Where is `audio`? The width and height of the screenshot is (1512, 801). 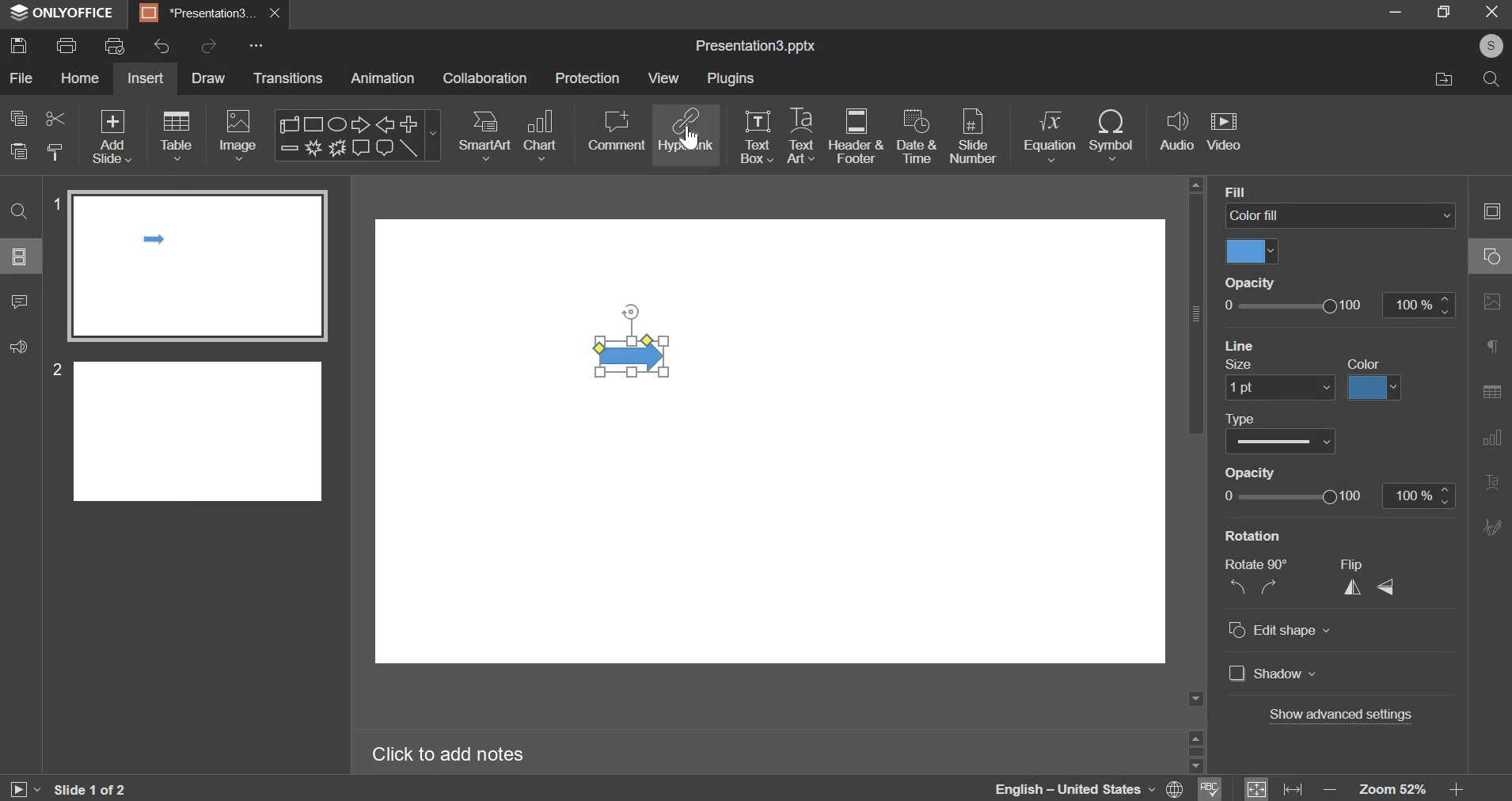
audio is located at coordinates (1178, 131).